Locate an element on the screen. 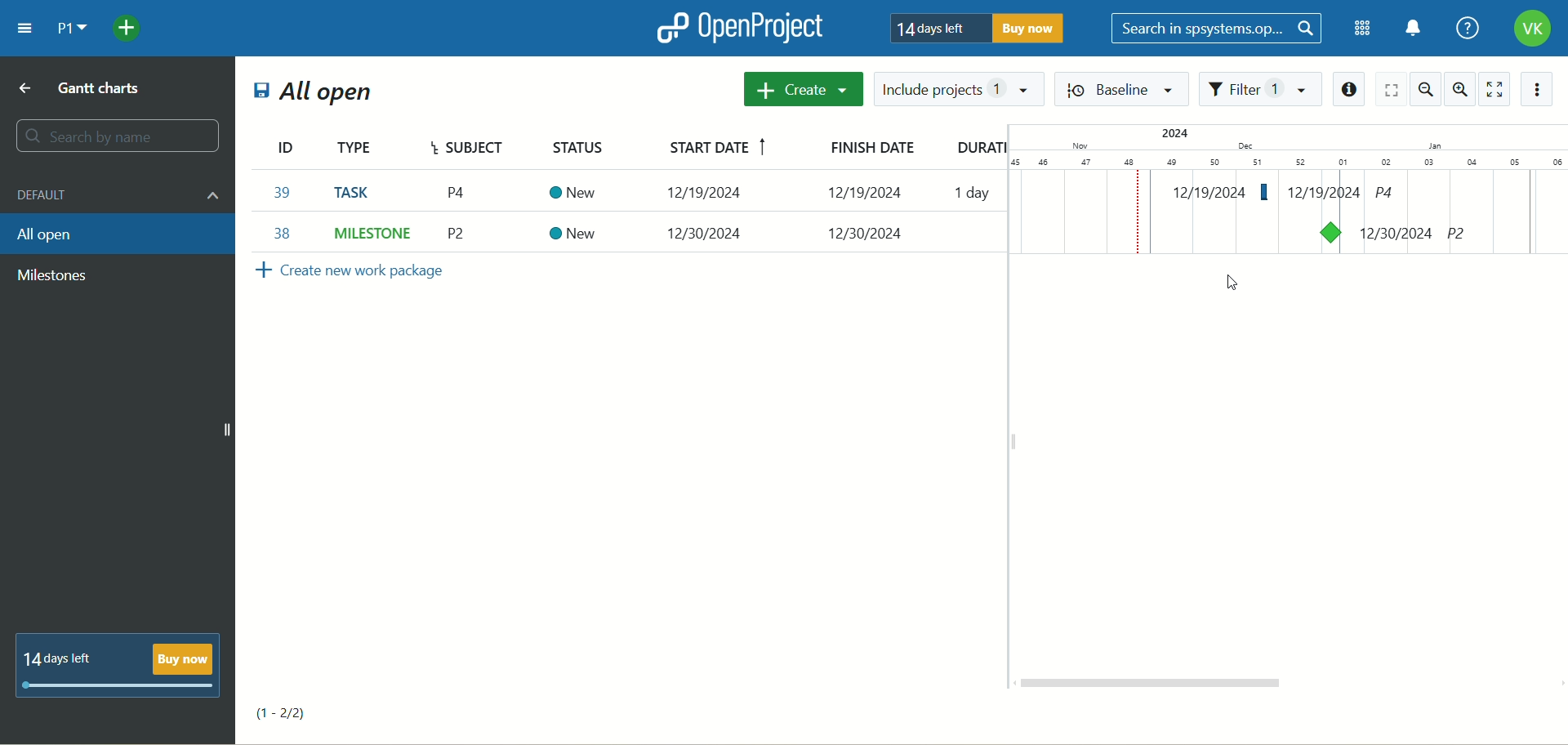 The image size is (1568, 745). add is located at coordinates (130, 29).